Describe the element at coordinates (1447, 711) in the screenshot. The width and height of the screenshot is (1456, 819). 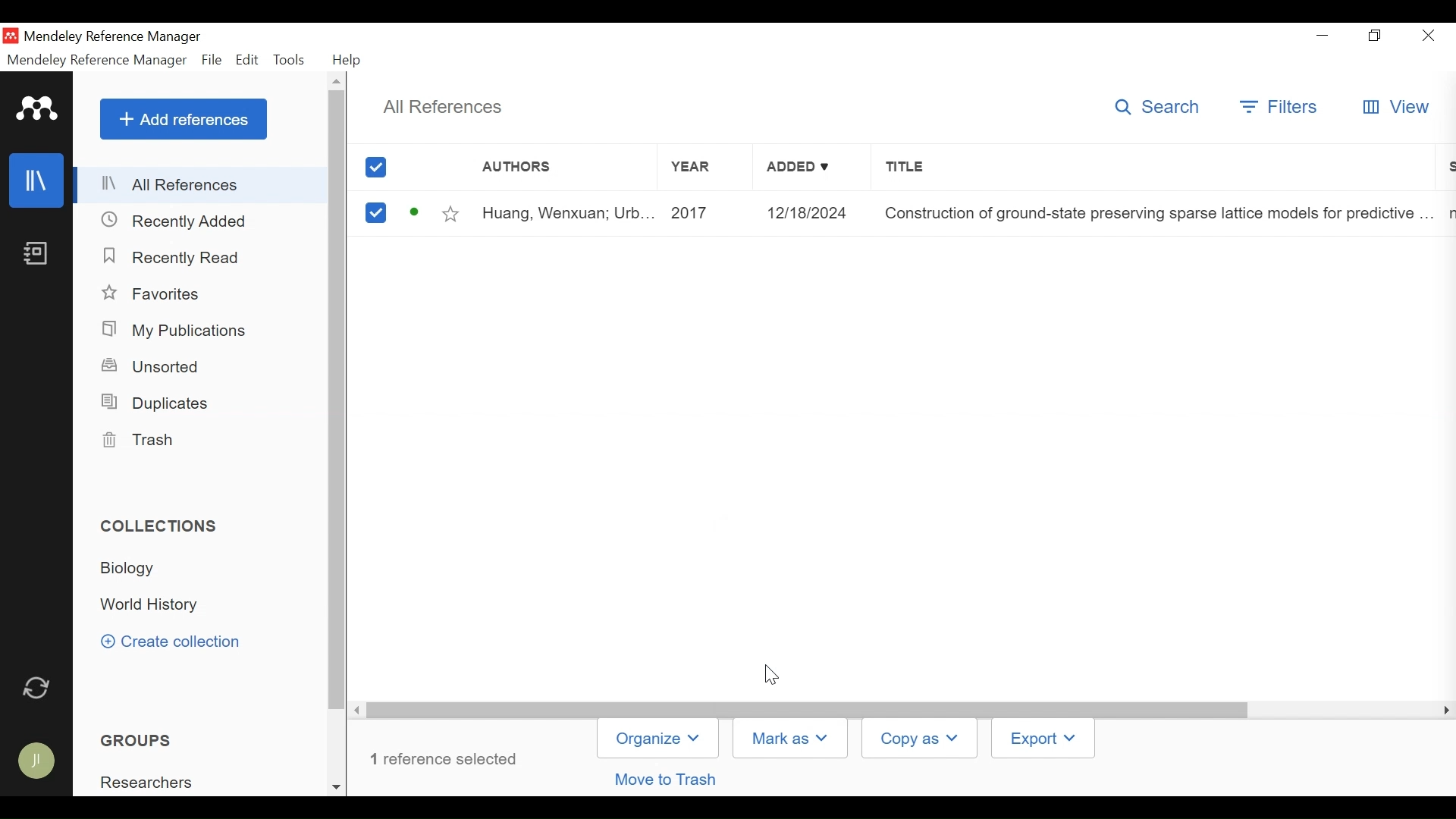
I see `Scroll Right` at that location.